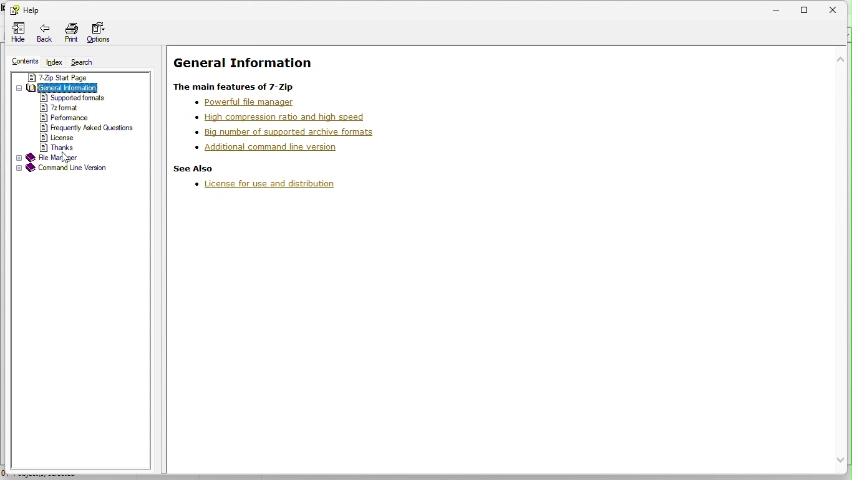 This screenshot has height=480, width=852. What do you see at coordinates (67, 157) in the screenshot?
I see `cursor` at bounding box center [67, 157].